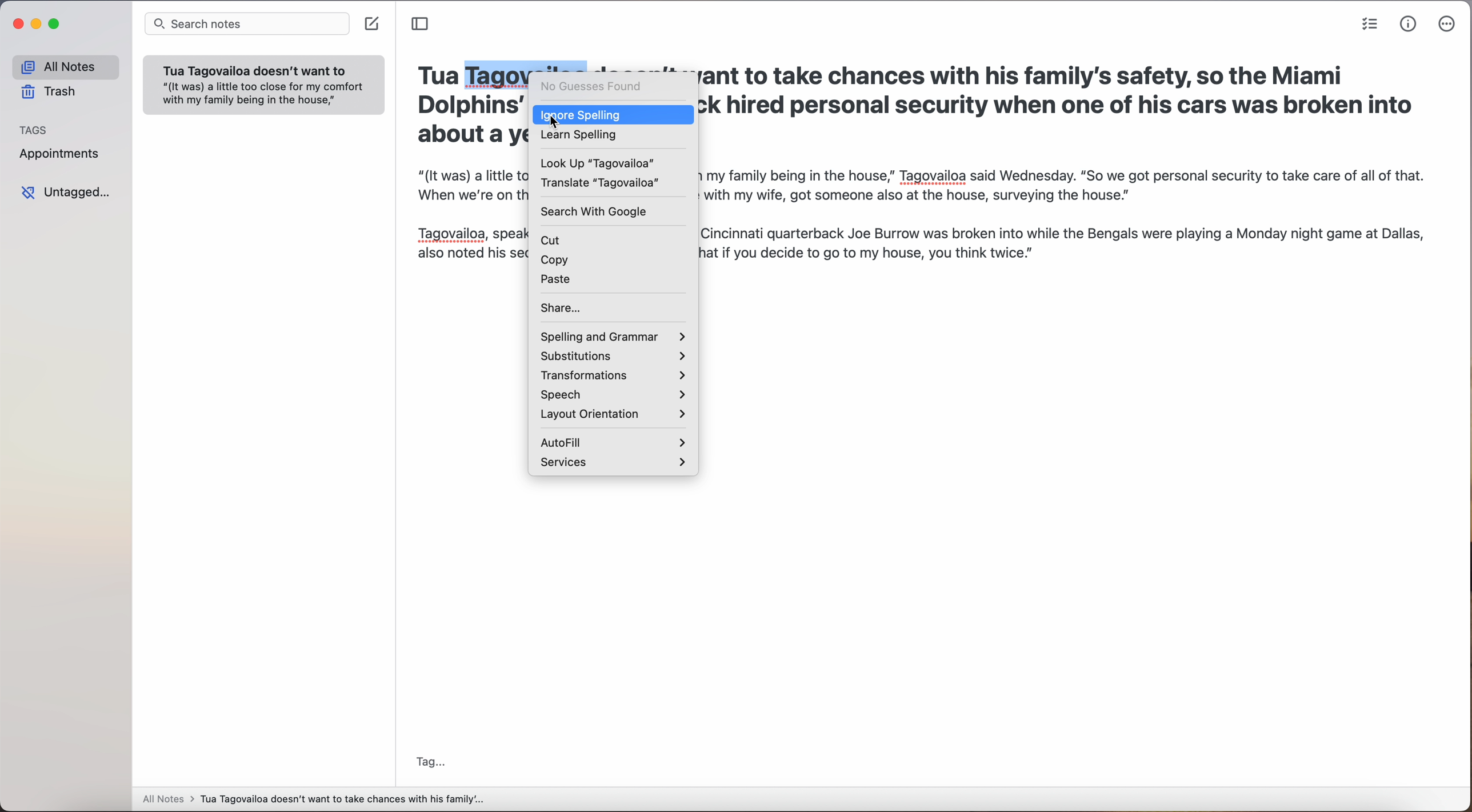  What do you see at coordinates (614, 355) in the screenshot?
I see `substitutions` at bounding box center [614, 355].